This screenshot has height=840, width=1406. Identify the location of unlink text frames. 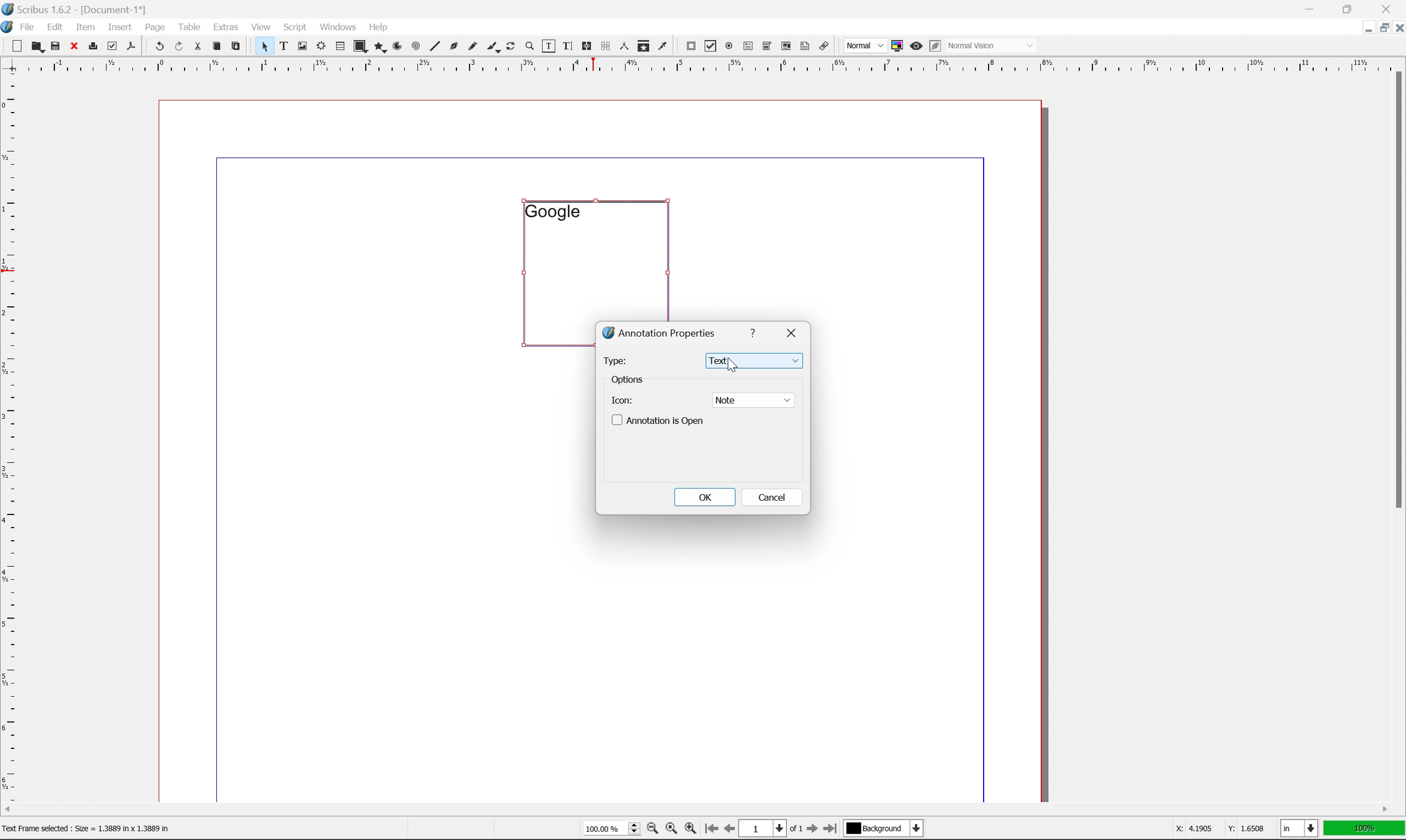
(604, 46).